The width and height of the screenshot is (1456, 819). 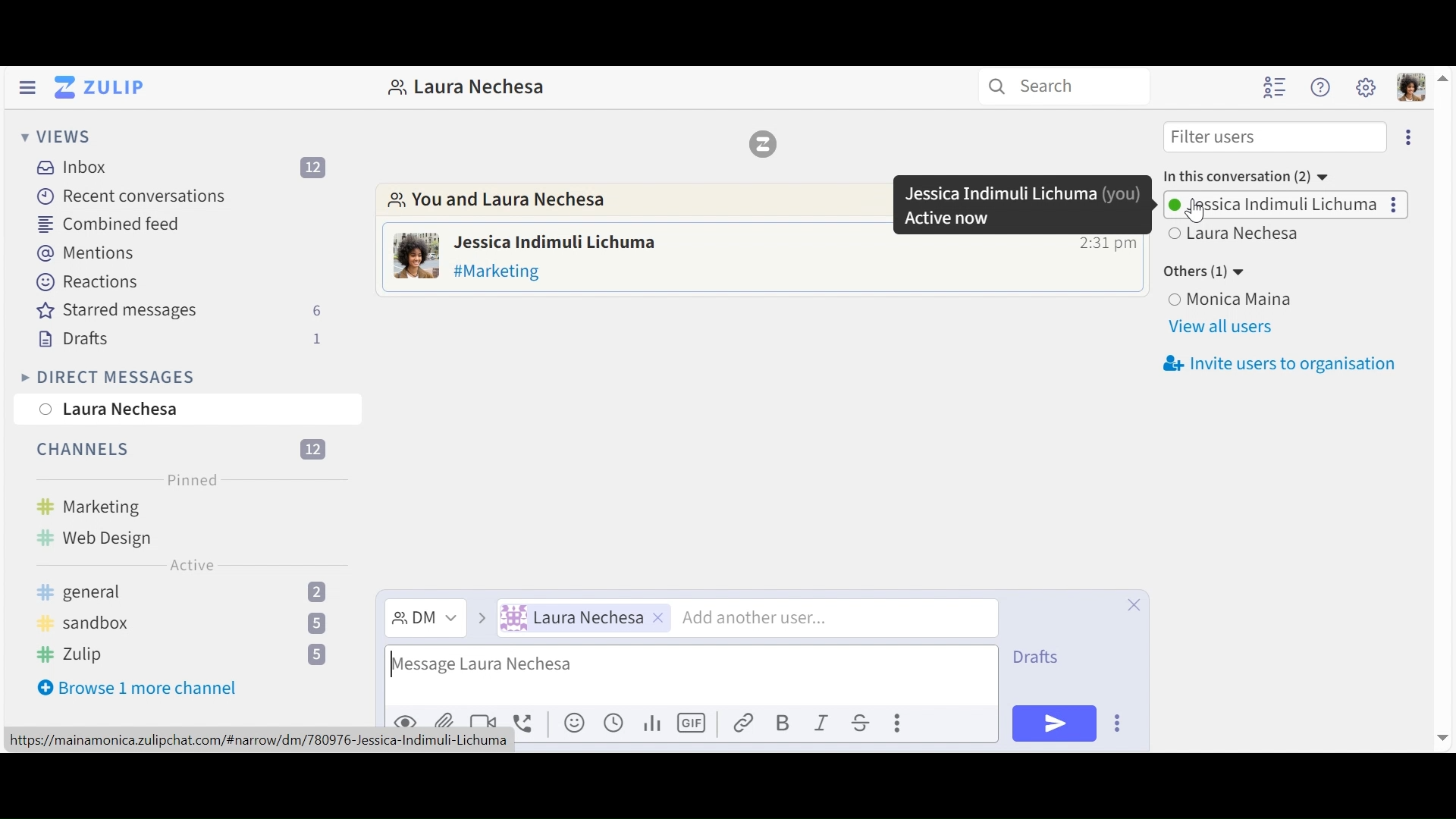 I want to click on cursor, so click(x=1196, y=211).